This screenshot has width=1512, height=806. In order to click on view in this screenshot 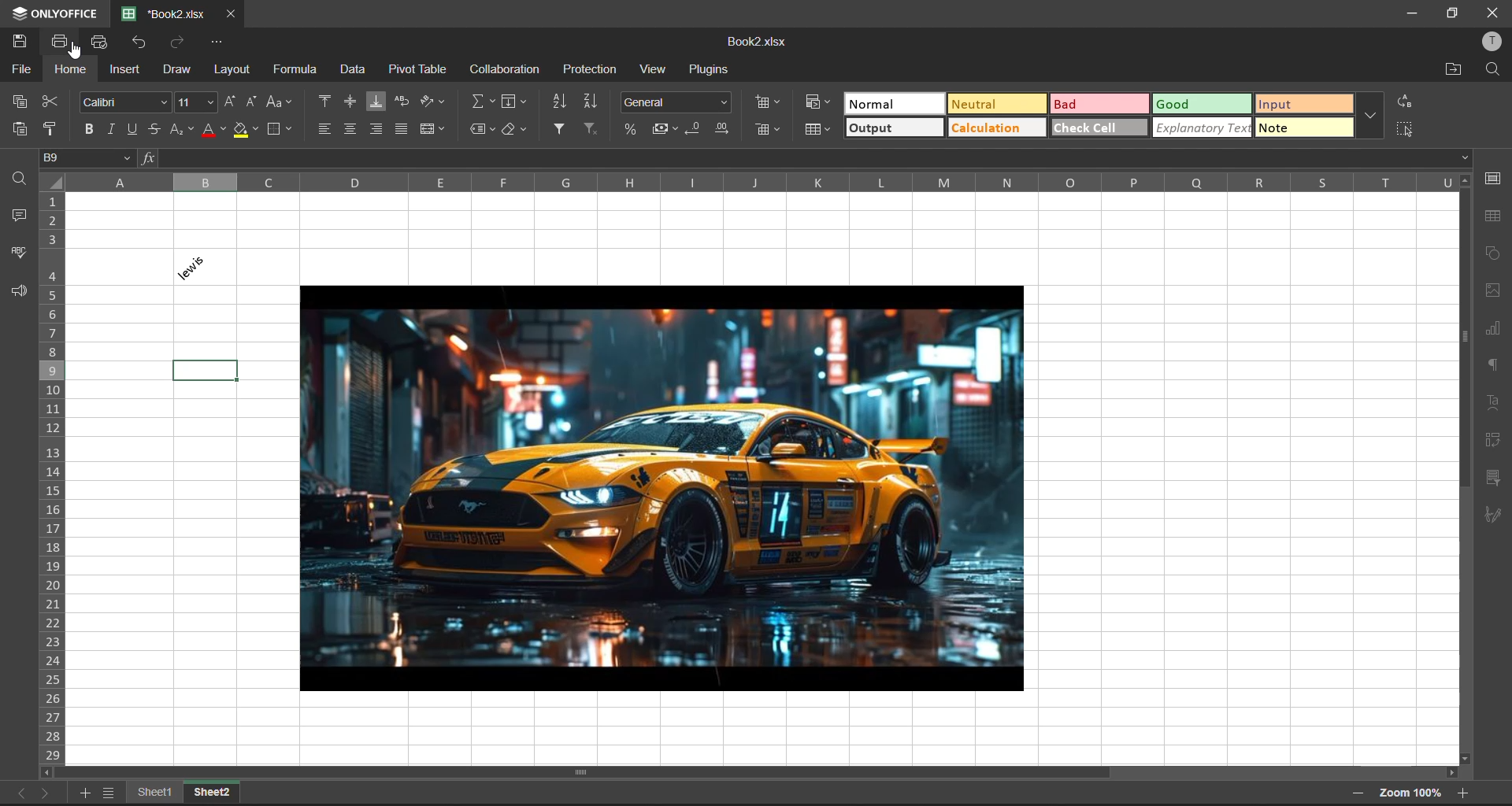, I will do `click(652, 72)`.